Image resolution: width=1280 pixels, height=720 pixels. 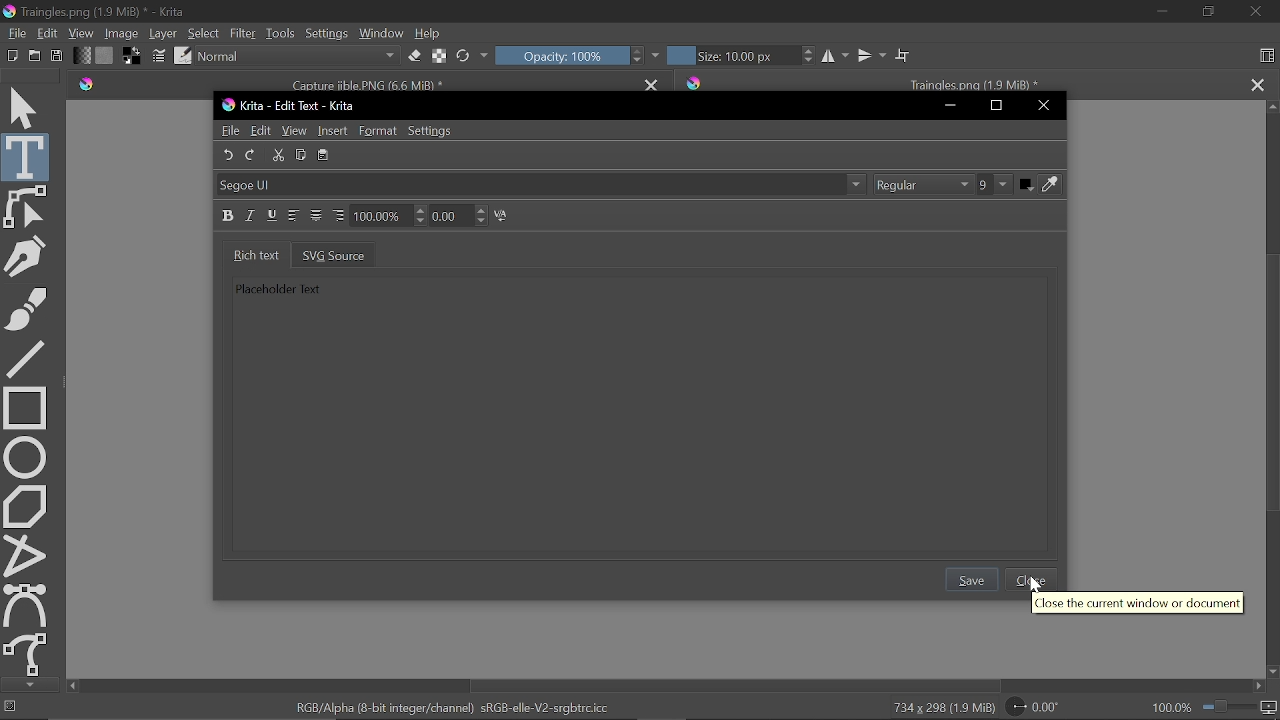 I want to click on Wrap around mode, so click(x=905, y=57).